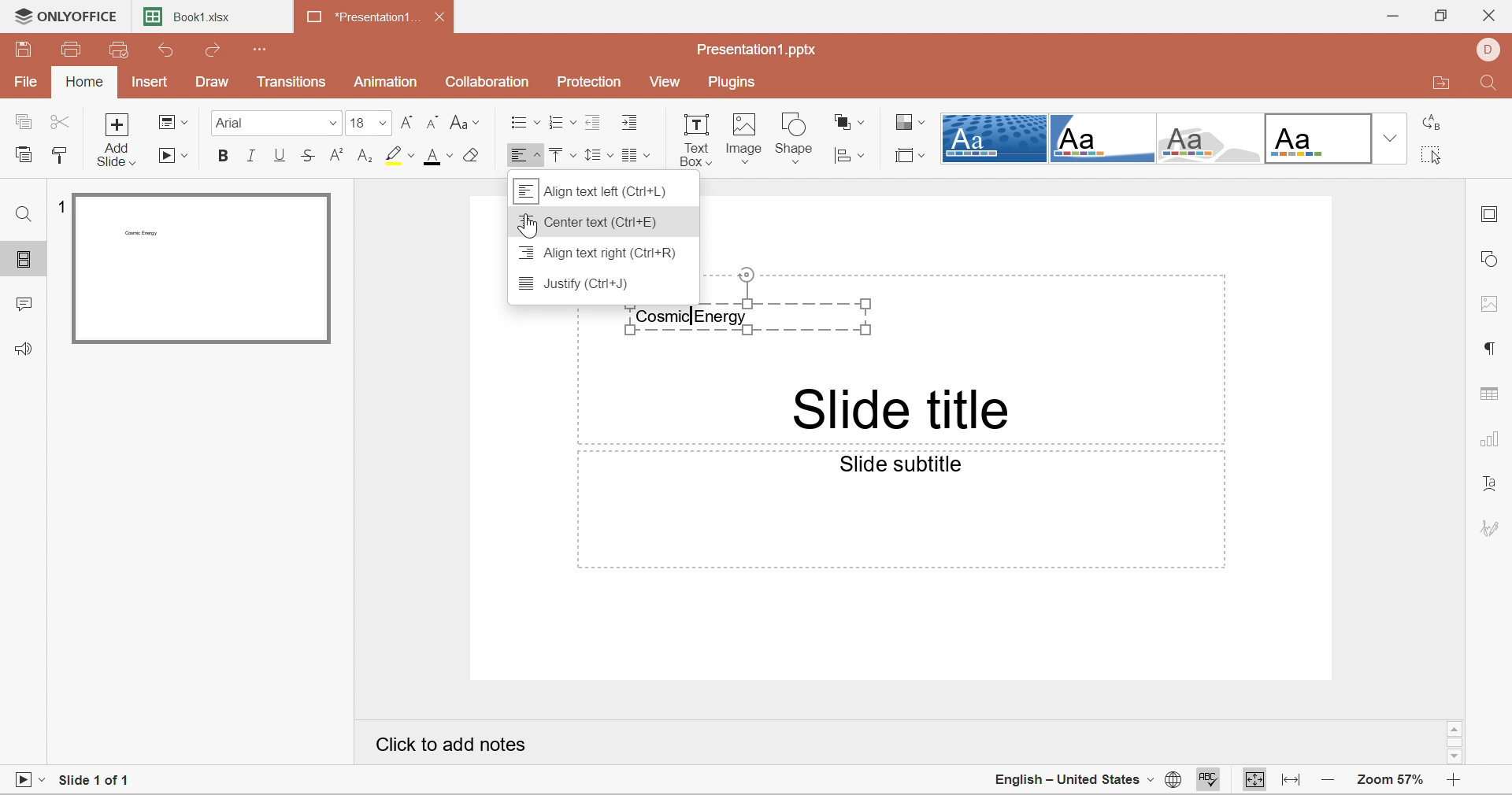 The height and width of the screenshot is (795, 1512). What do you see at coordinates (1492, 348) in the screenshot?
I see `Paragraph settings` at bounding box center [1492, 348].